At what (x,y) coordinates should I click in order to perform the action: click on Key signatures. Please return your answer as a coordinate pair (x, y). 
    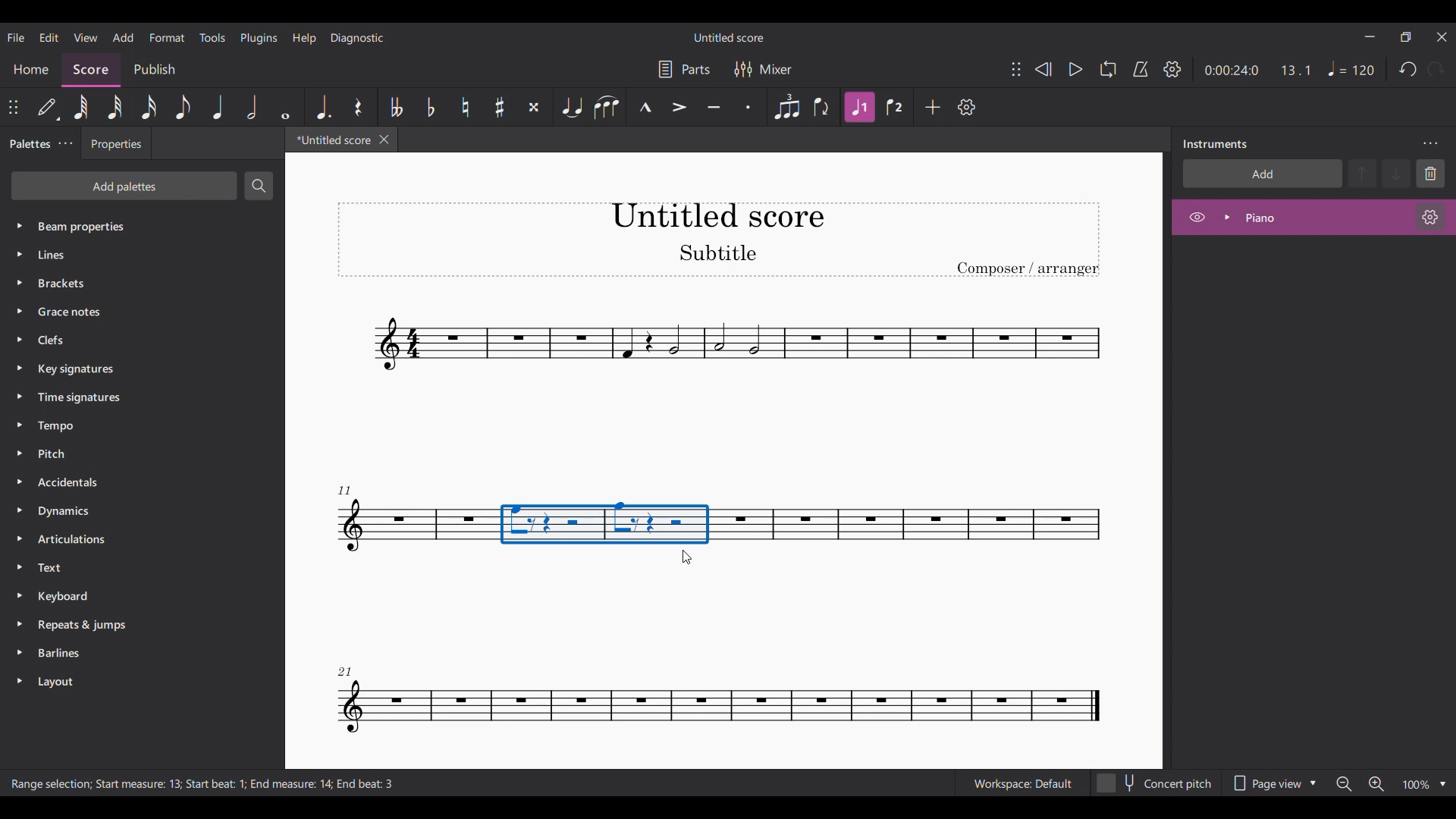
    Looking at the image, I should click on (140, 370).